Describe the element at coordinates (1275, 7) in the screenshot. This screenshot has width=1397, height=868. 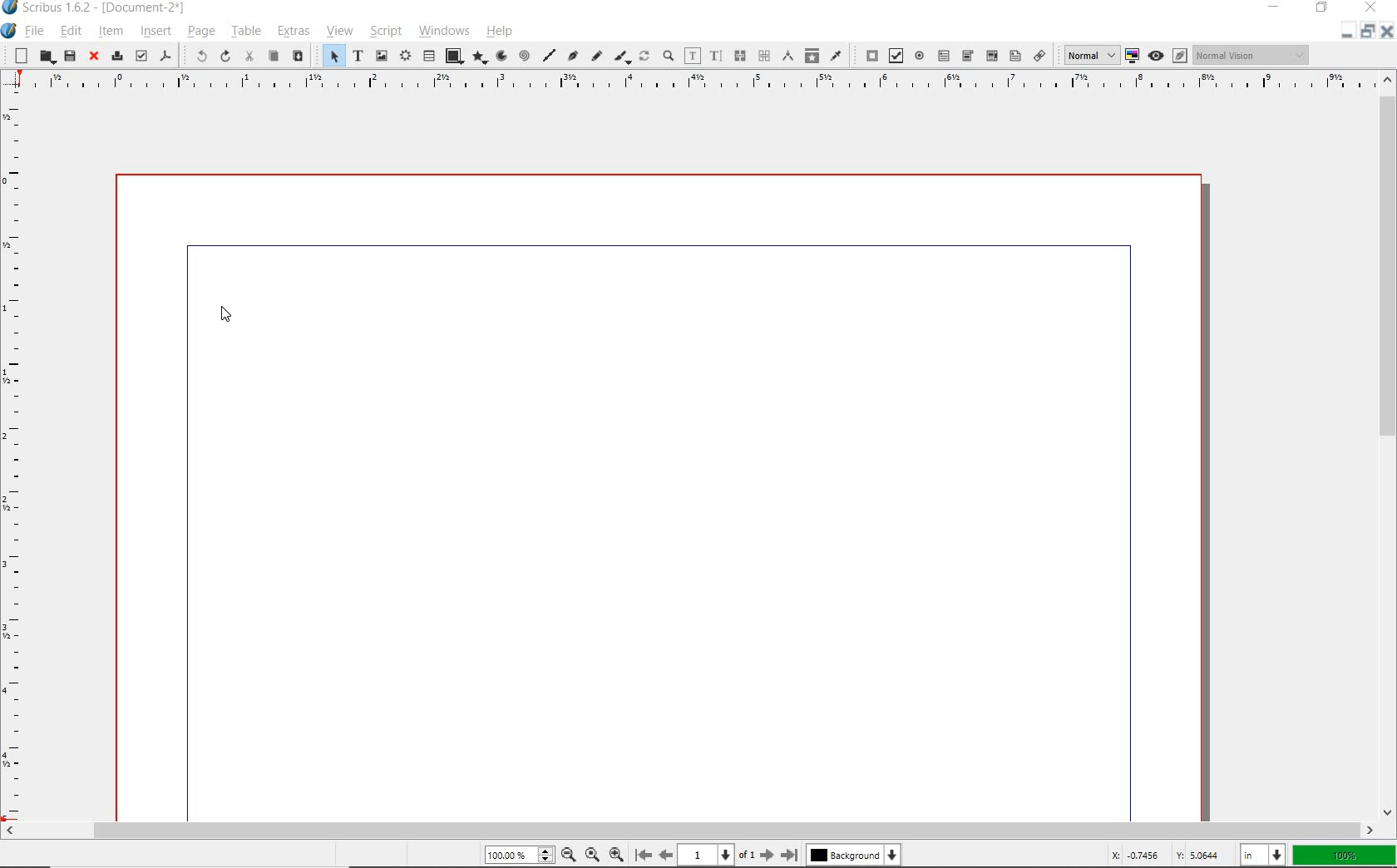
I see `minimize` at that location.